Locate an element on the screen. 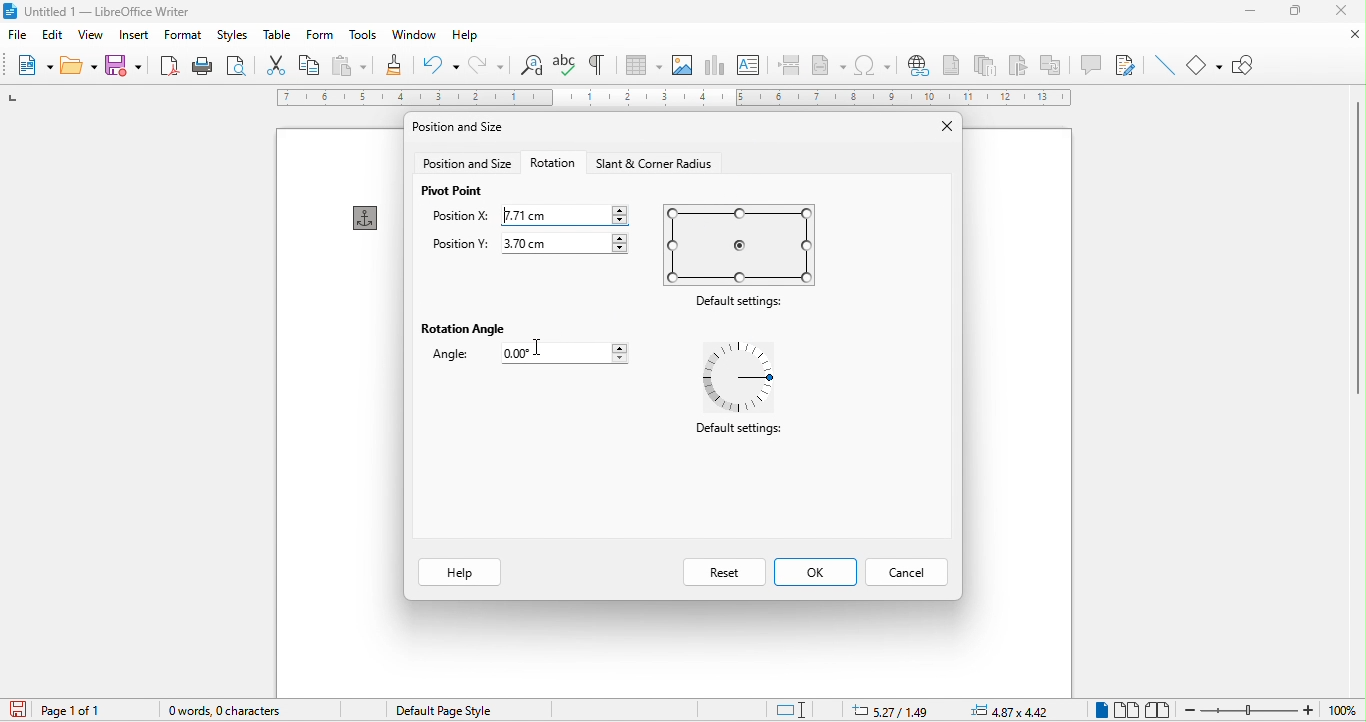  text box is located at coordinates (748, 64).